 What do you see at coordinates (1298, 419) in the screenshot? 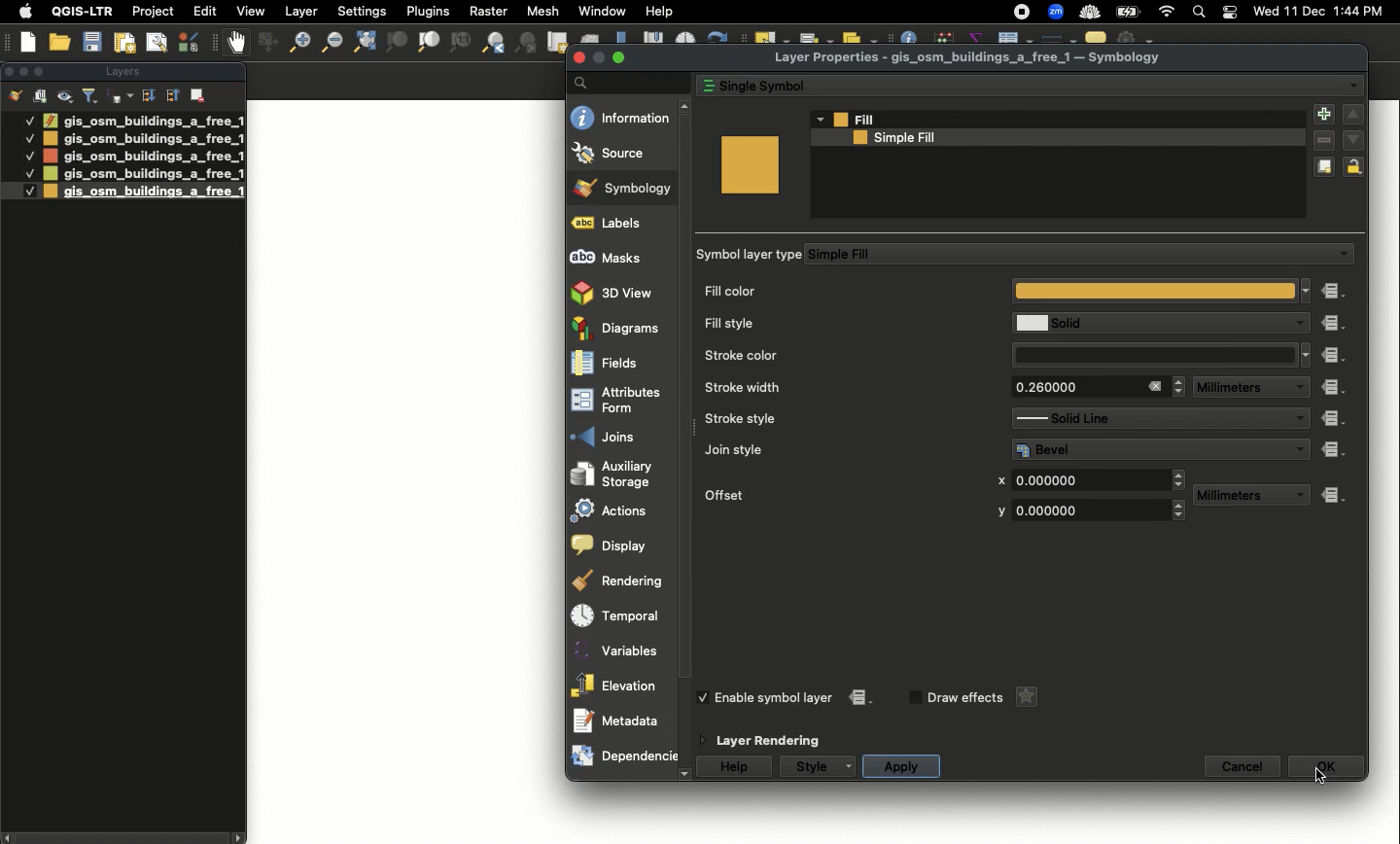
I see `Drop down` at bounding box center [1298, 419].